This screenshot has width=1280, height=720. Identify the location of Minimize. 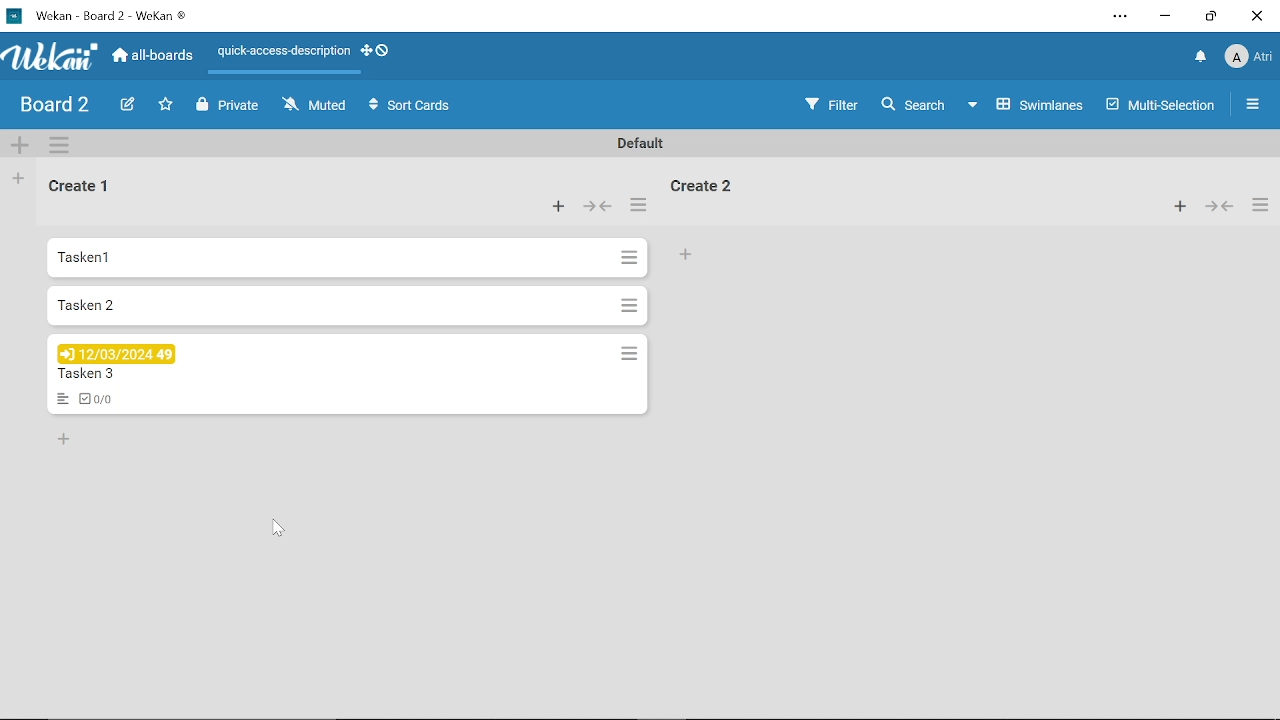
(1166, 17).